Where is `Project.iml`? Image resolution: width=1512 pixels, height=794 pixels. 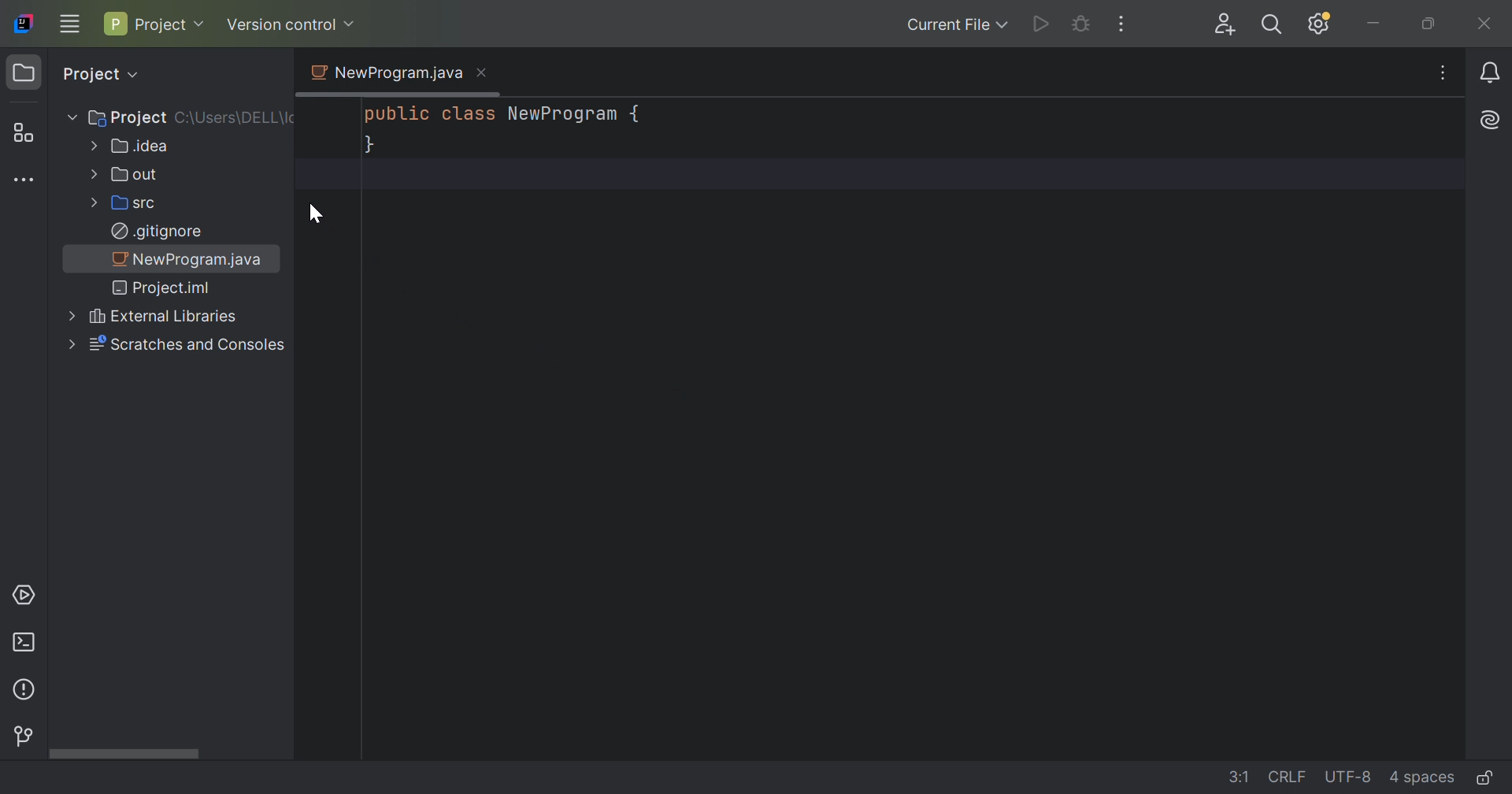
Project.iml is located at coordinates (165, 288).